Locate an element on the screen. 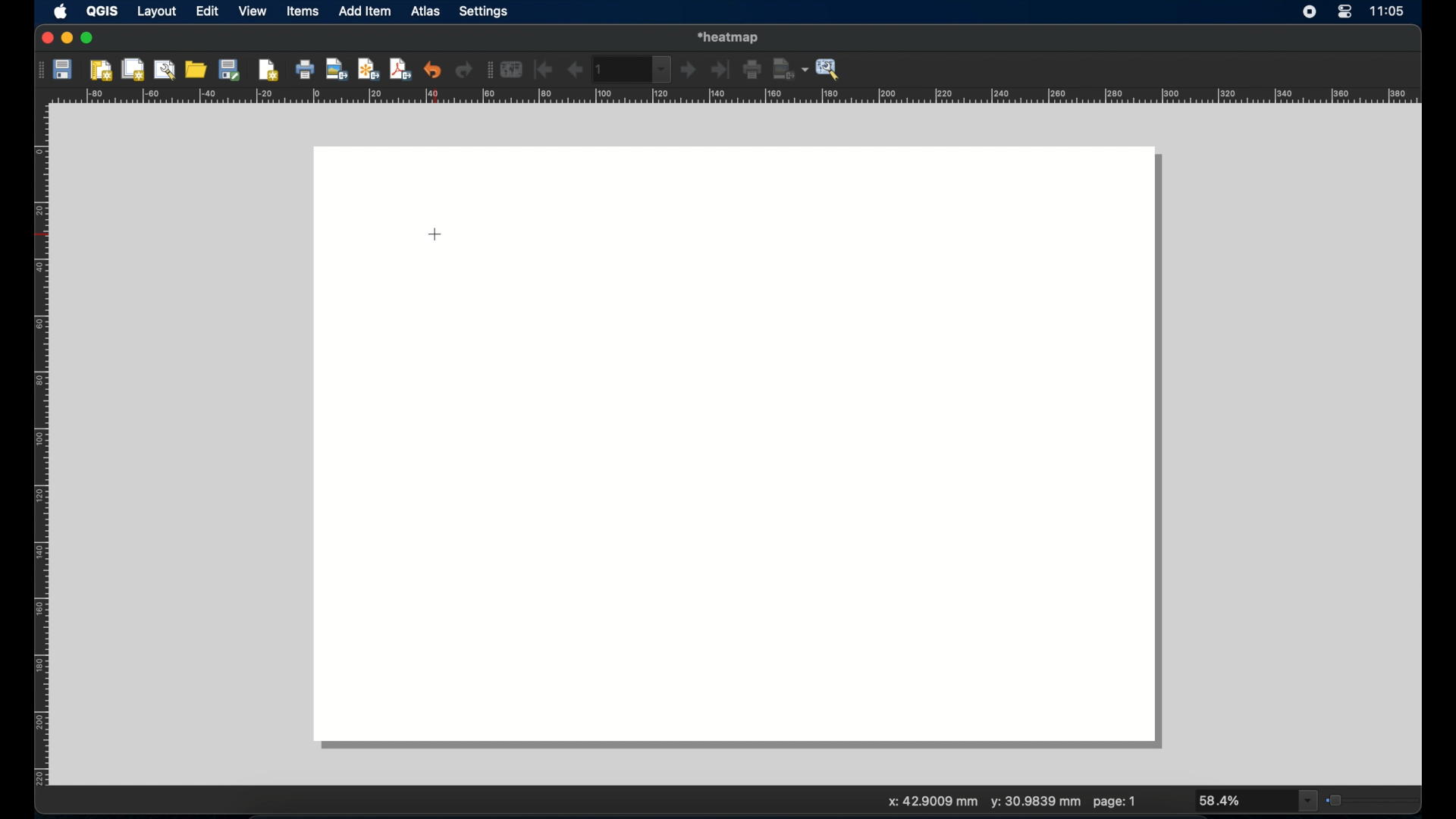  x: mm is located at coordinates (928, 803).